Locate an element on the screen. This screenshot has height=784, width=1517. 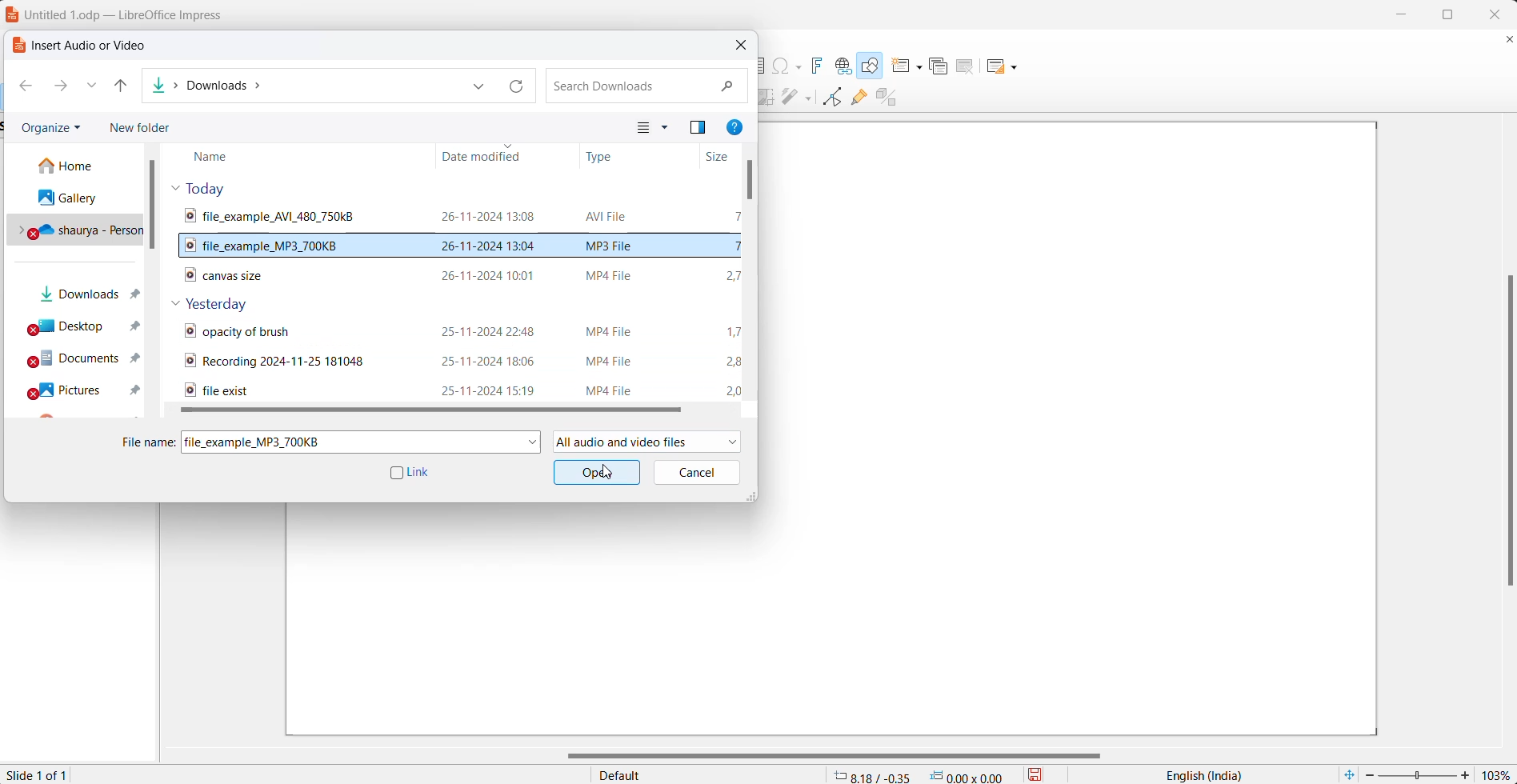
new slide is located at coordinates (899, 66).